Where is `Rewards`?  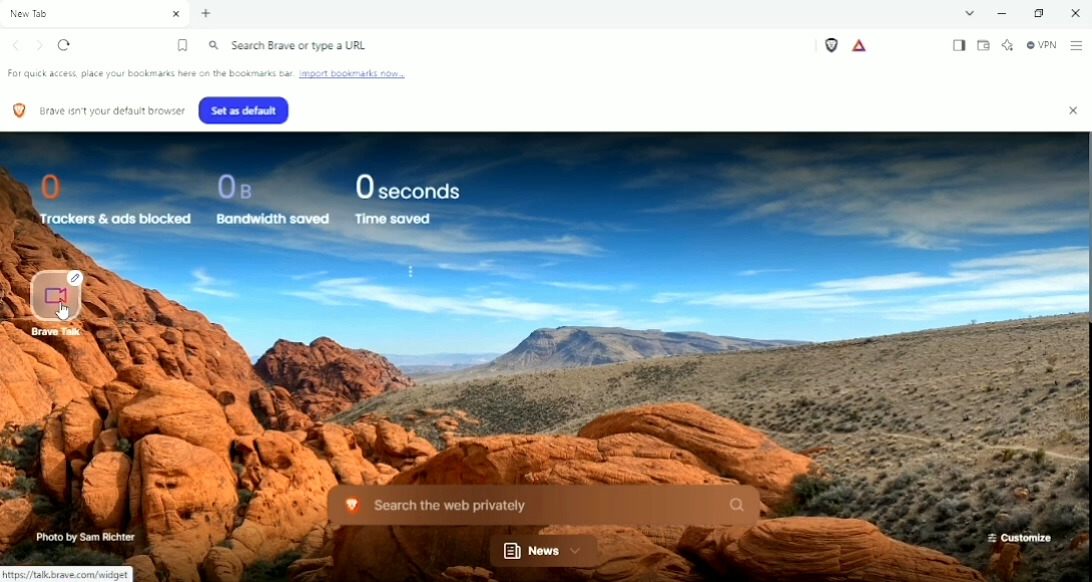
Rewards is located at coordinates (859, 47).